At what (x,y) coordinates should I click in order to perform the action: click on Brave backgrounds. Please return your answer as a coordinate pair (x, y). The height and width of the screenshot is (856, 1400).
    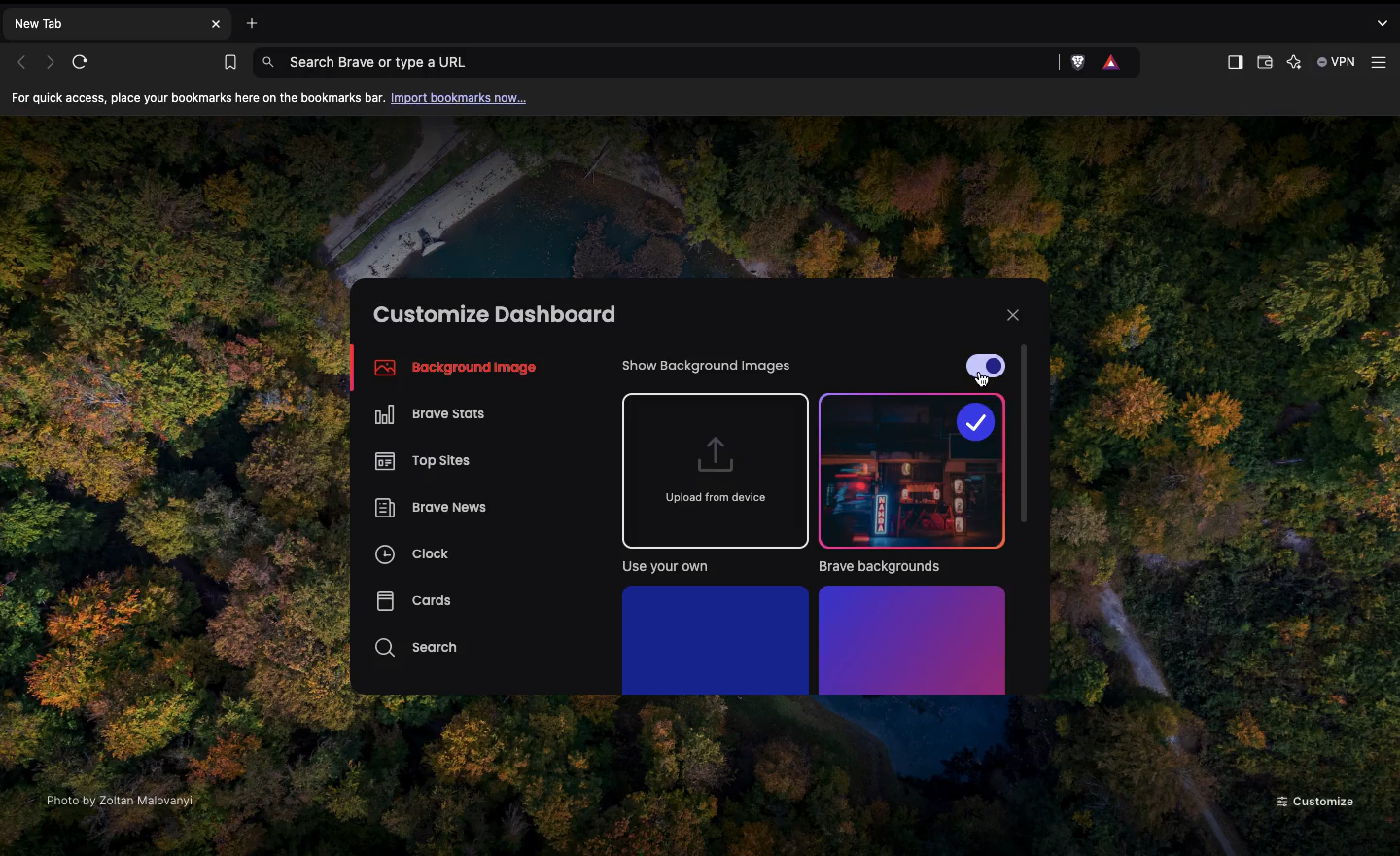
    Looking at the image, I should click on (912, 472).